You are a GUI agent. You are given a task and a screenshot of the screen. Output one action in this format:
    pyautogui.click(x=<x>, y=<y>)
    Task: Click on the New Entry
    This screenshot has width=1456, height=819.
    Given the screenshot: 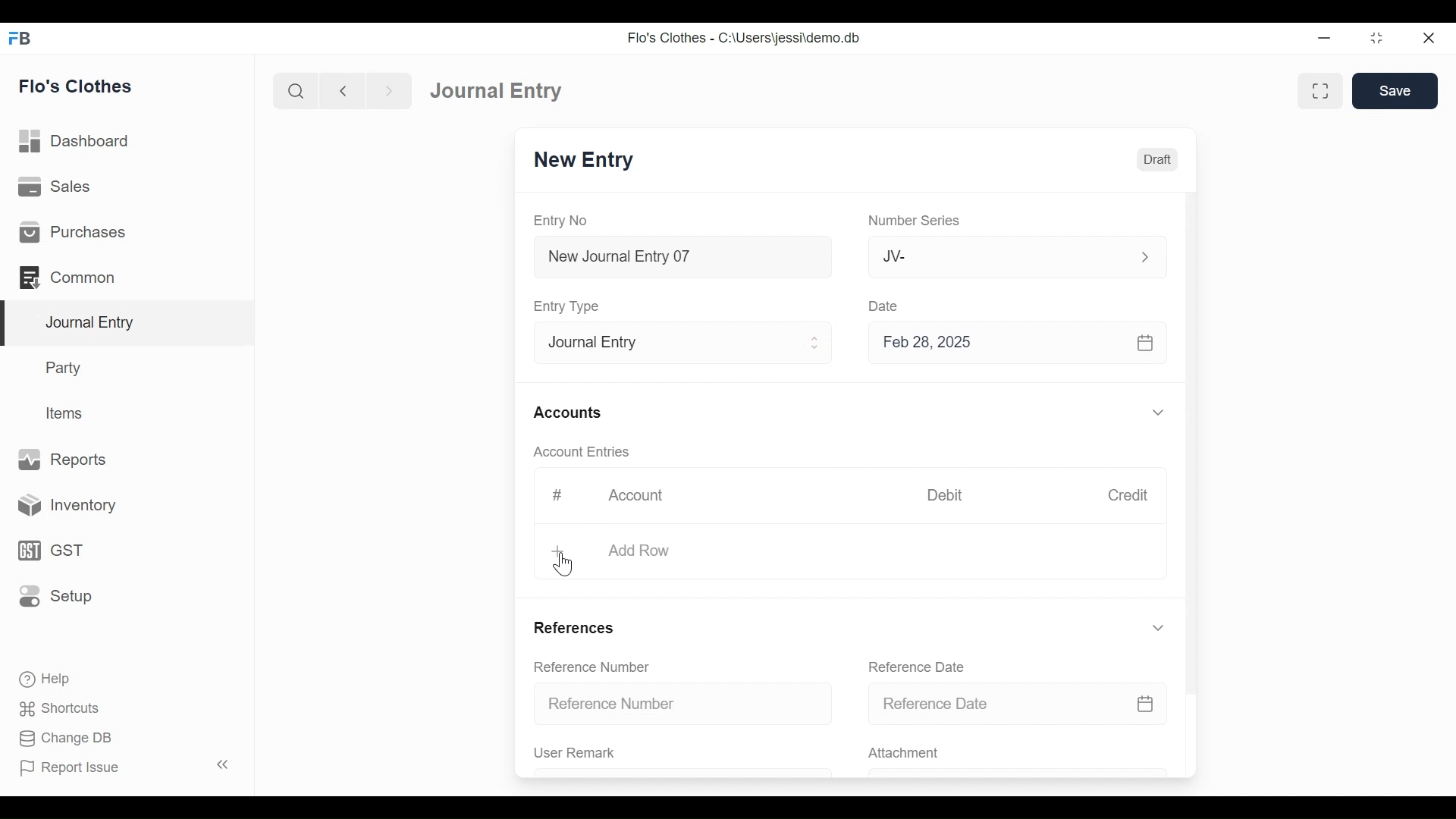 What is the action you would take?
    pyautogui.click(x=588, y=160)
    